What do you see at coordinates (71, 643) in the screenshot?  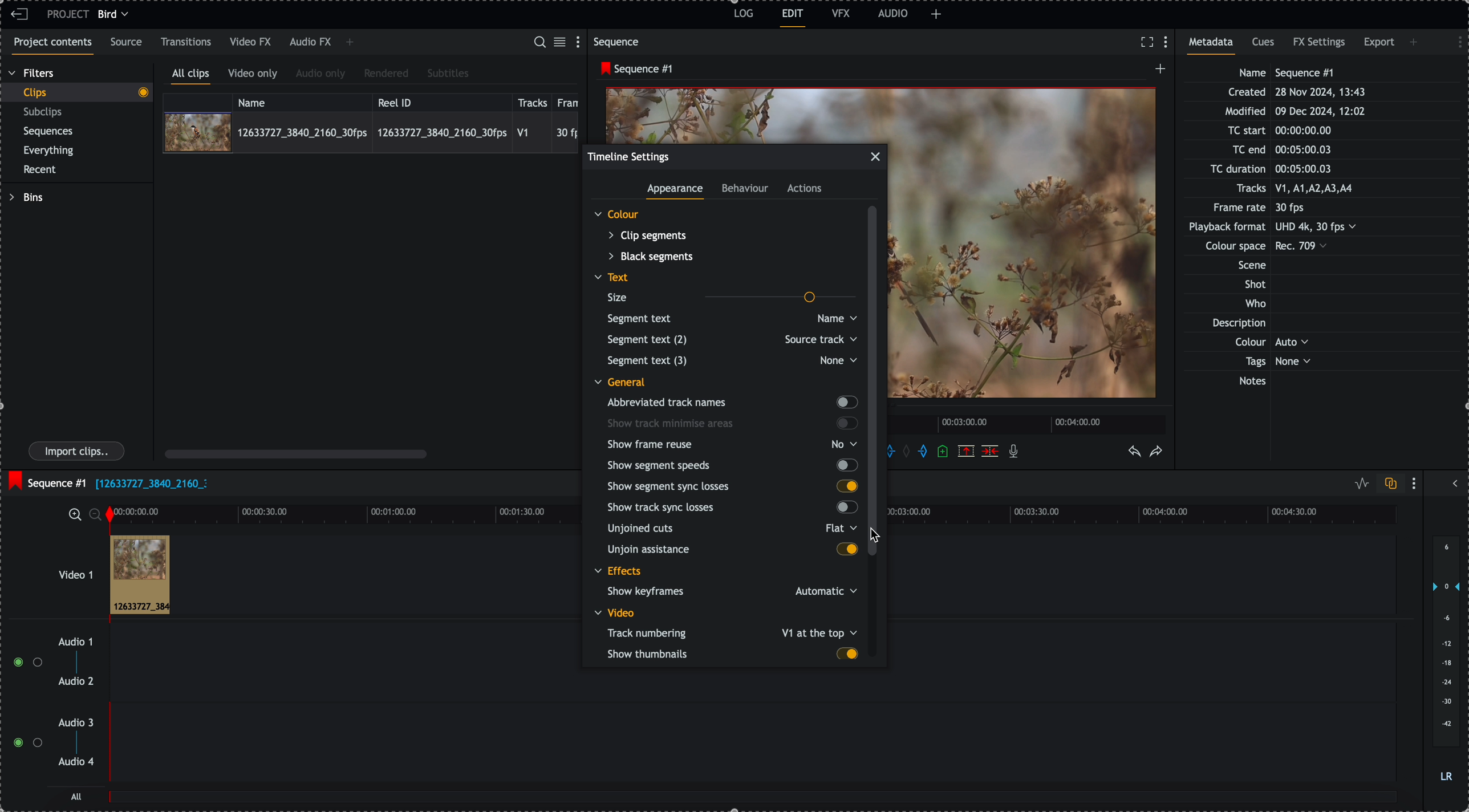 I see `audio 1` at bounding box center [71, 643].